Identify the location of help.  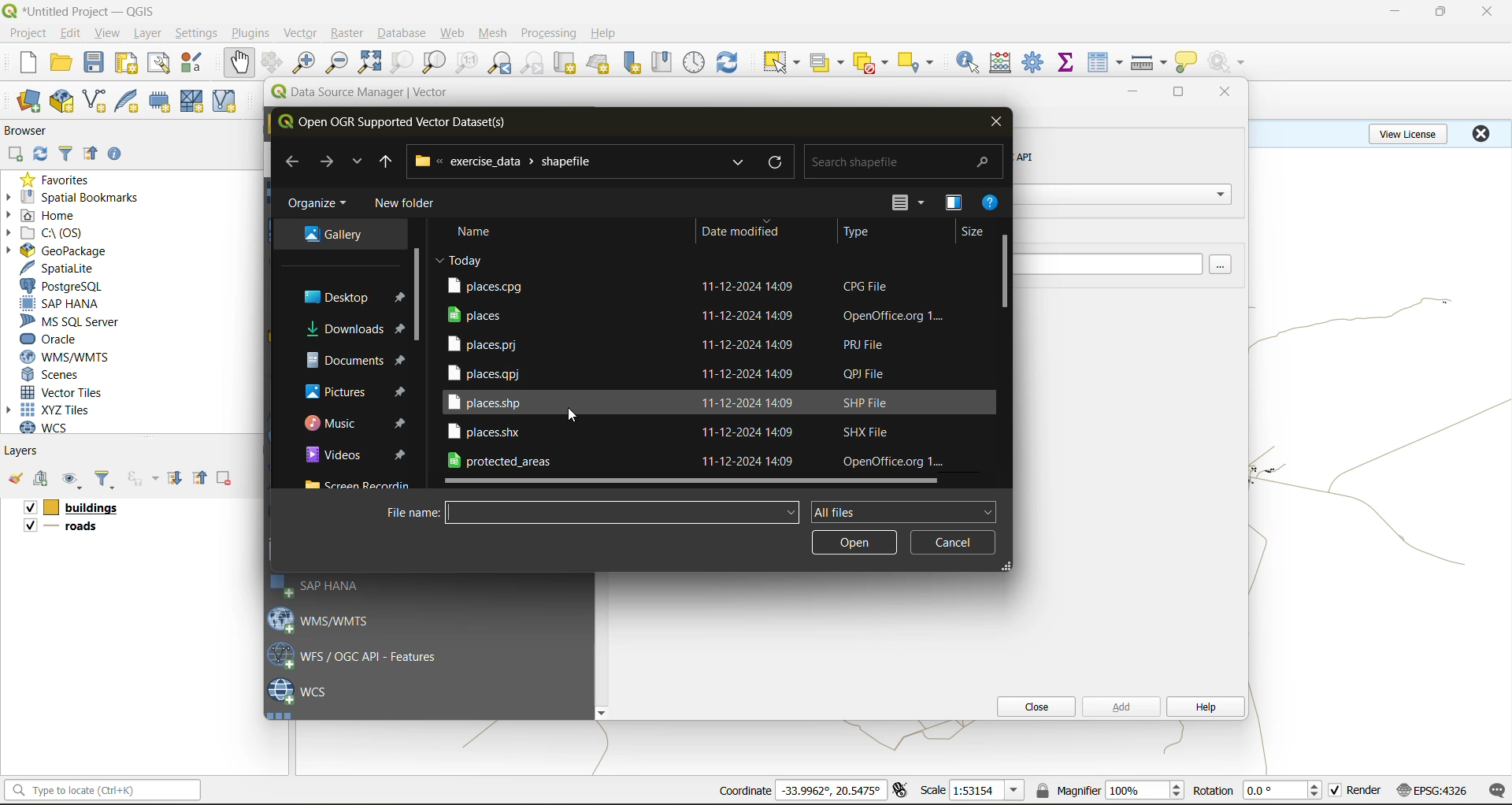
(606, 33).